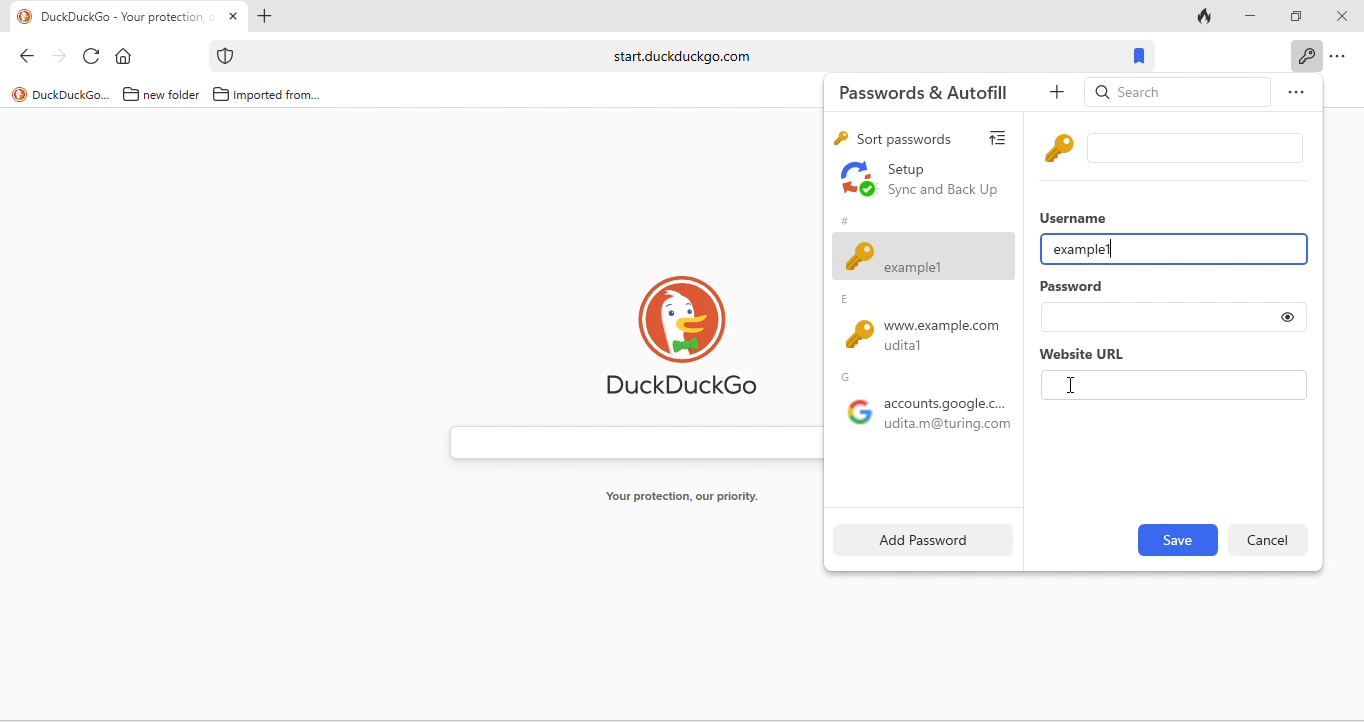  What do you see at coordinates (173, 96) in the screenshot?
I see `new folder` at bounding box center [173, 96].